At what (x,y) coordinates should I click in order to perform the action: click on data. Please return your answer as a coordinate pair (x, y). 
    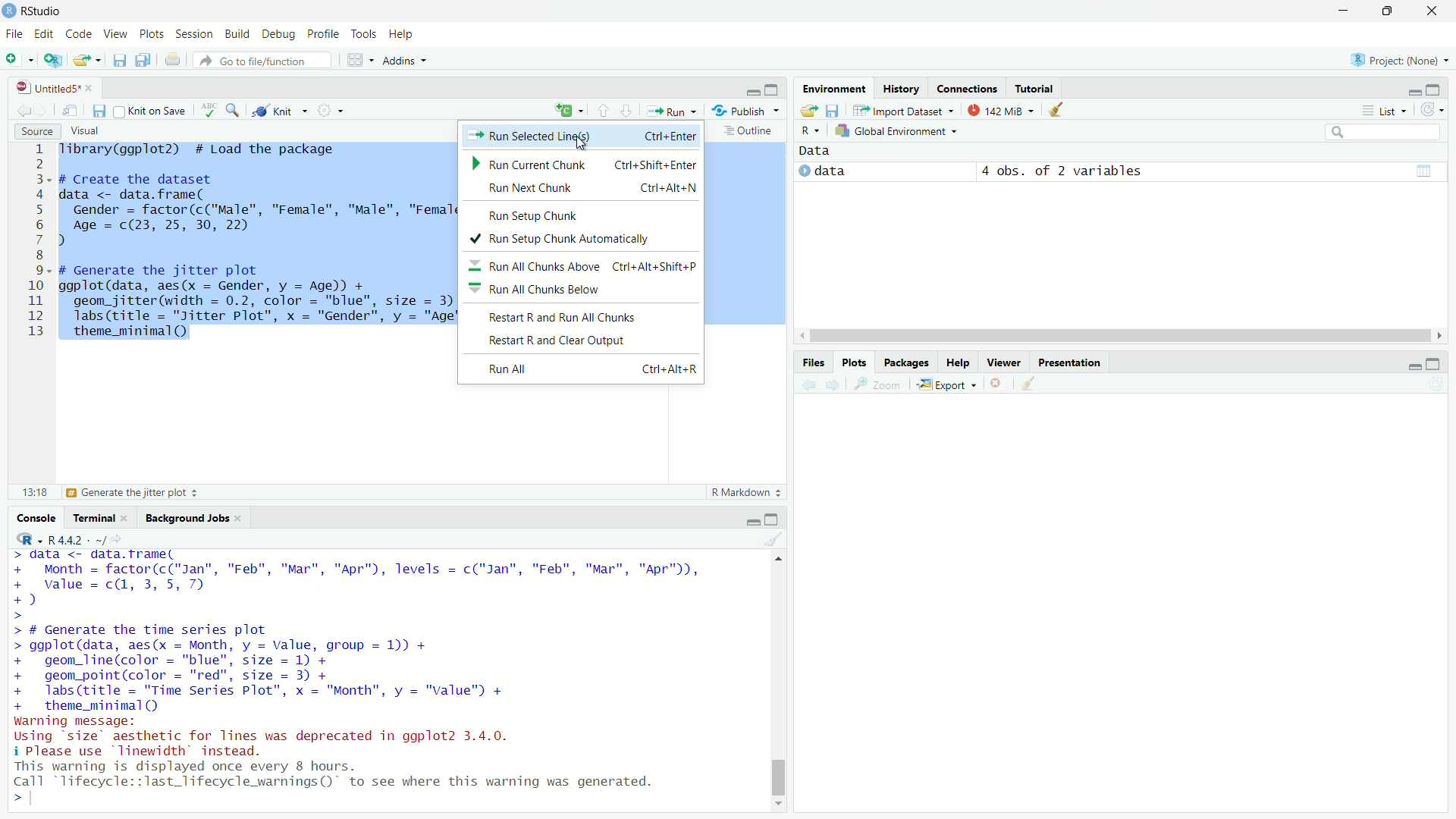
    Looking at the image, I should click on (826, 149).